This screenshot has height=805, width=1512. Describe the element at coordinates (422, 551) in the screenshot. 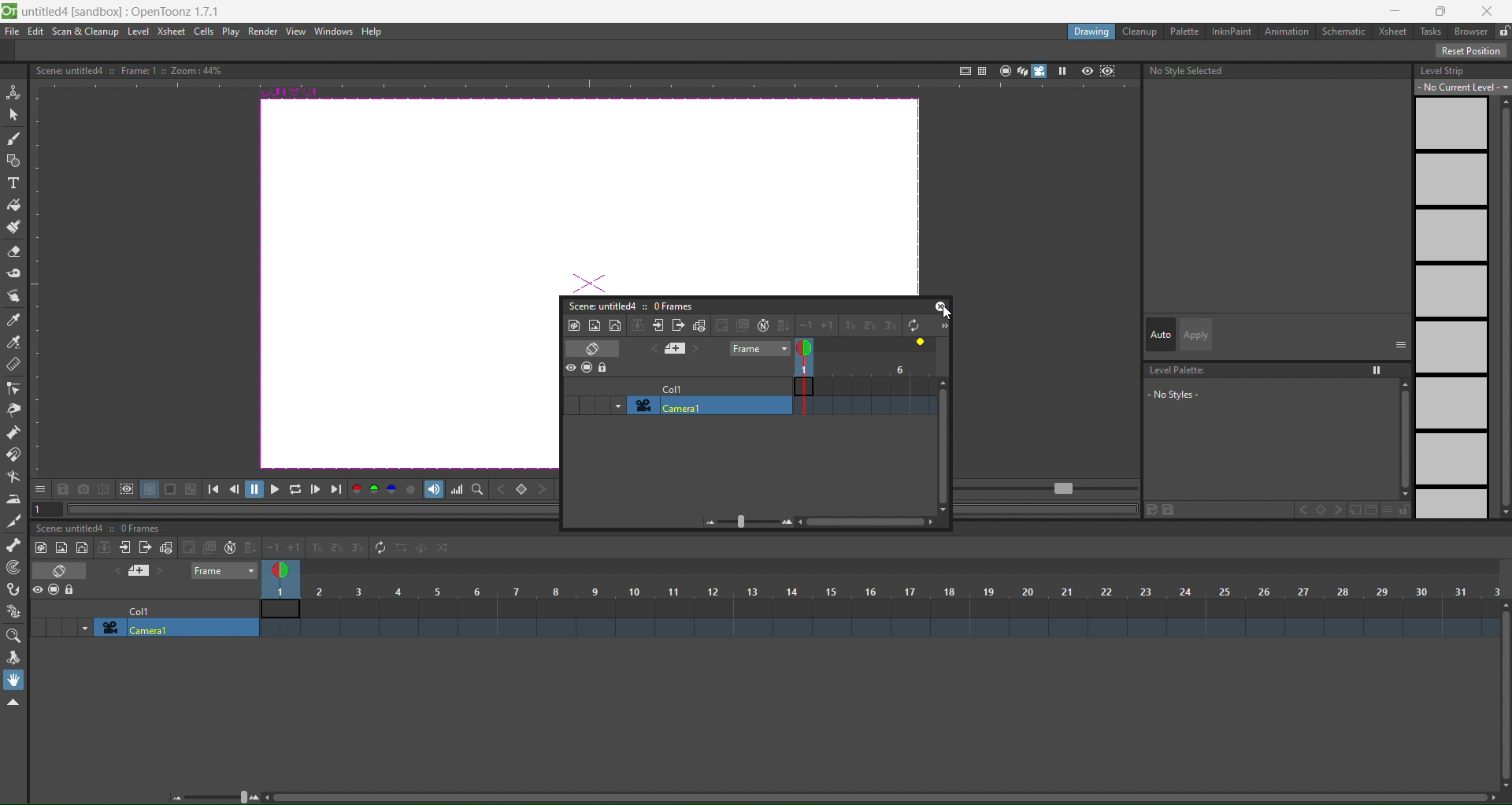

I see `swing` at that location.